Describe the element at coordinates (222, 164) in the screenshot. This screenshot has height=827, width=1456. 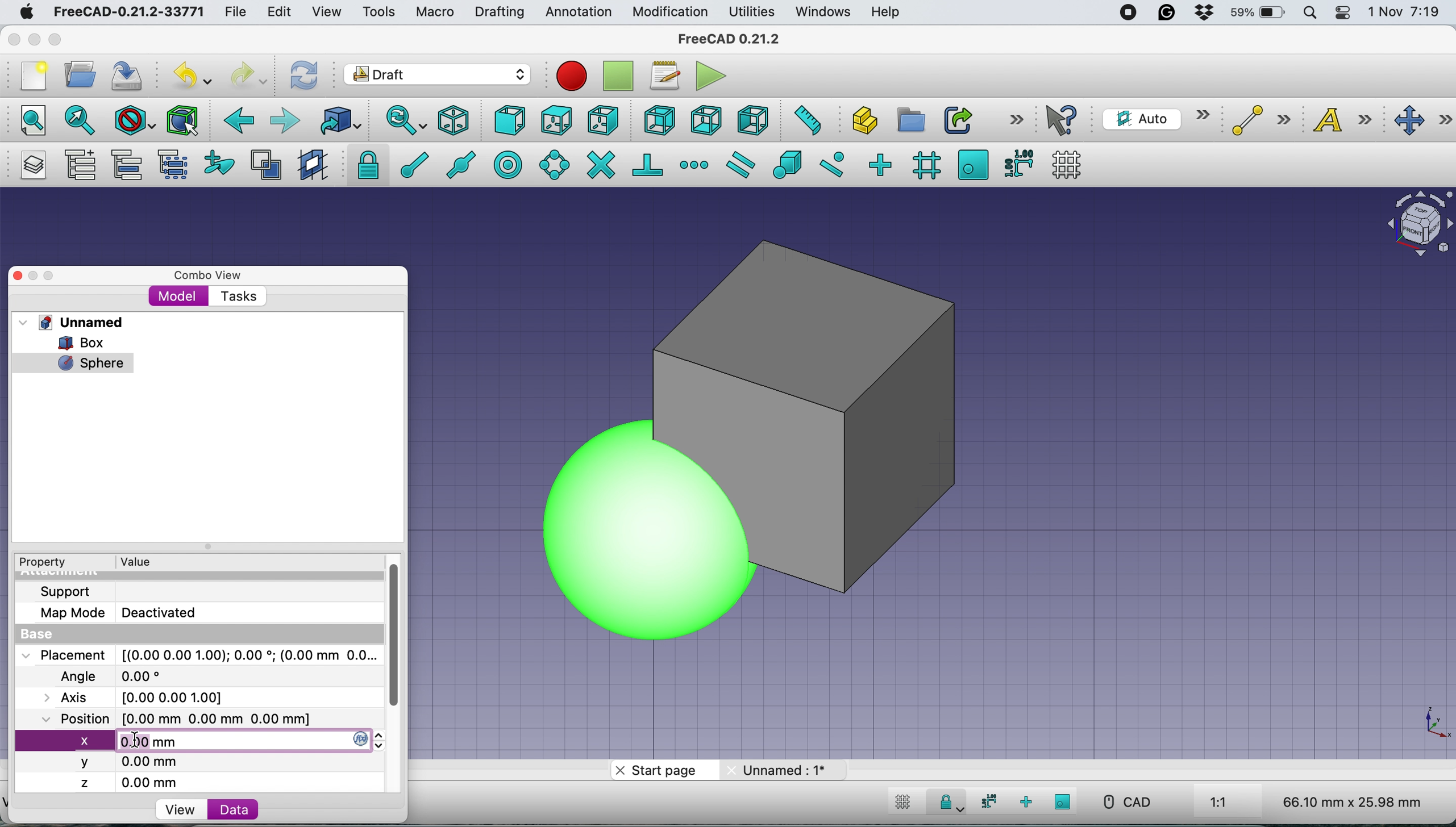
I see `add to construction group` at that location.